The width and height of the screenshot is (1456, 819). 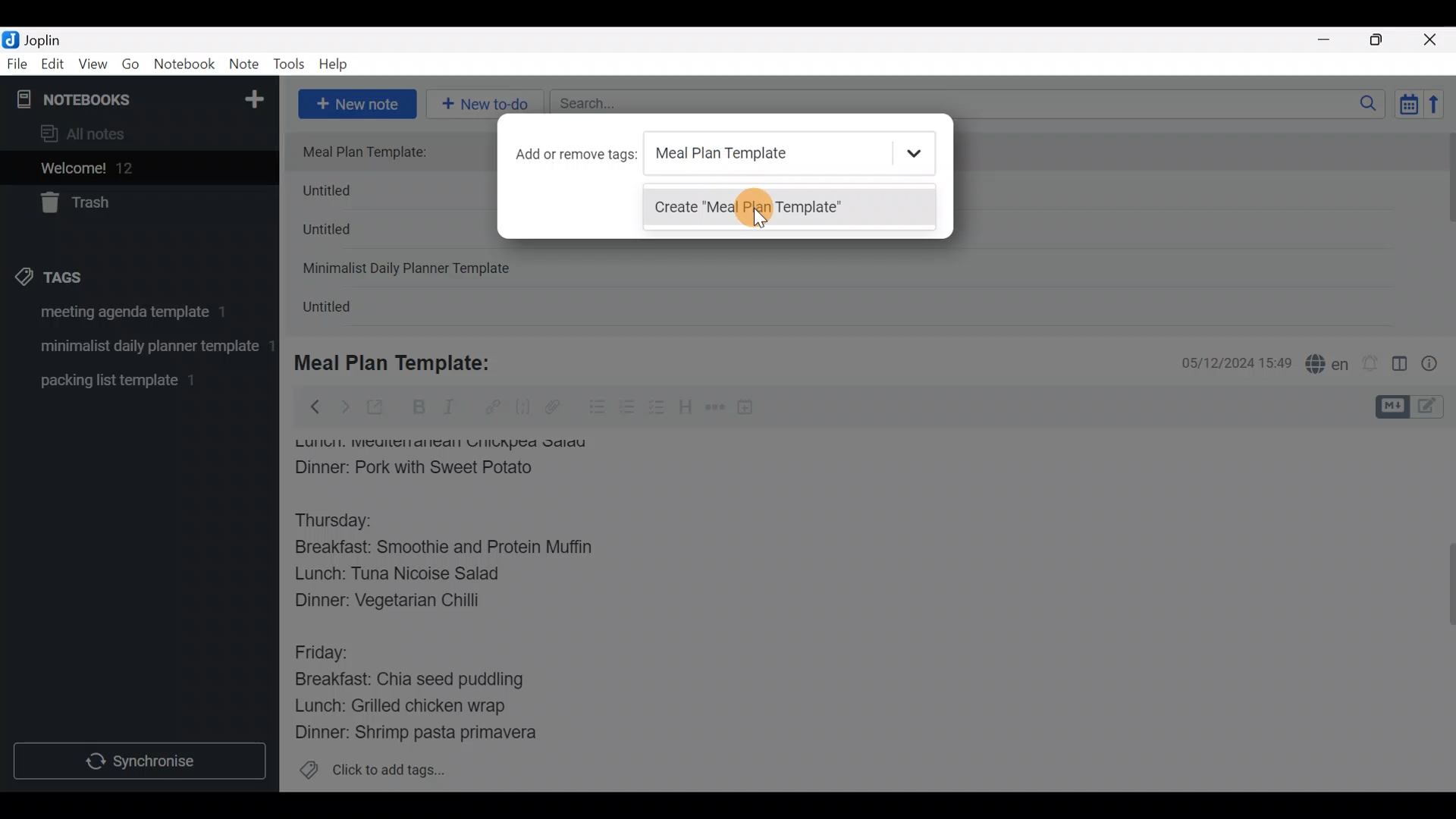 What do you see at coordinates (142, 761) in the screenshot?
I see `Synchronize` at bounding box center [142, 761].